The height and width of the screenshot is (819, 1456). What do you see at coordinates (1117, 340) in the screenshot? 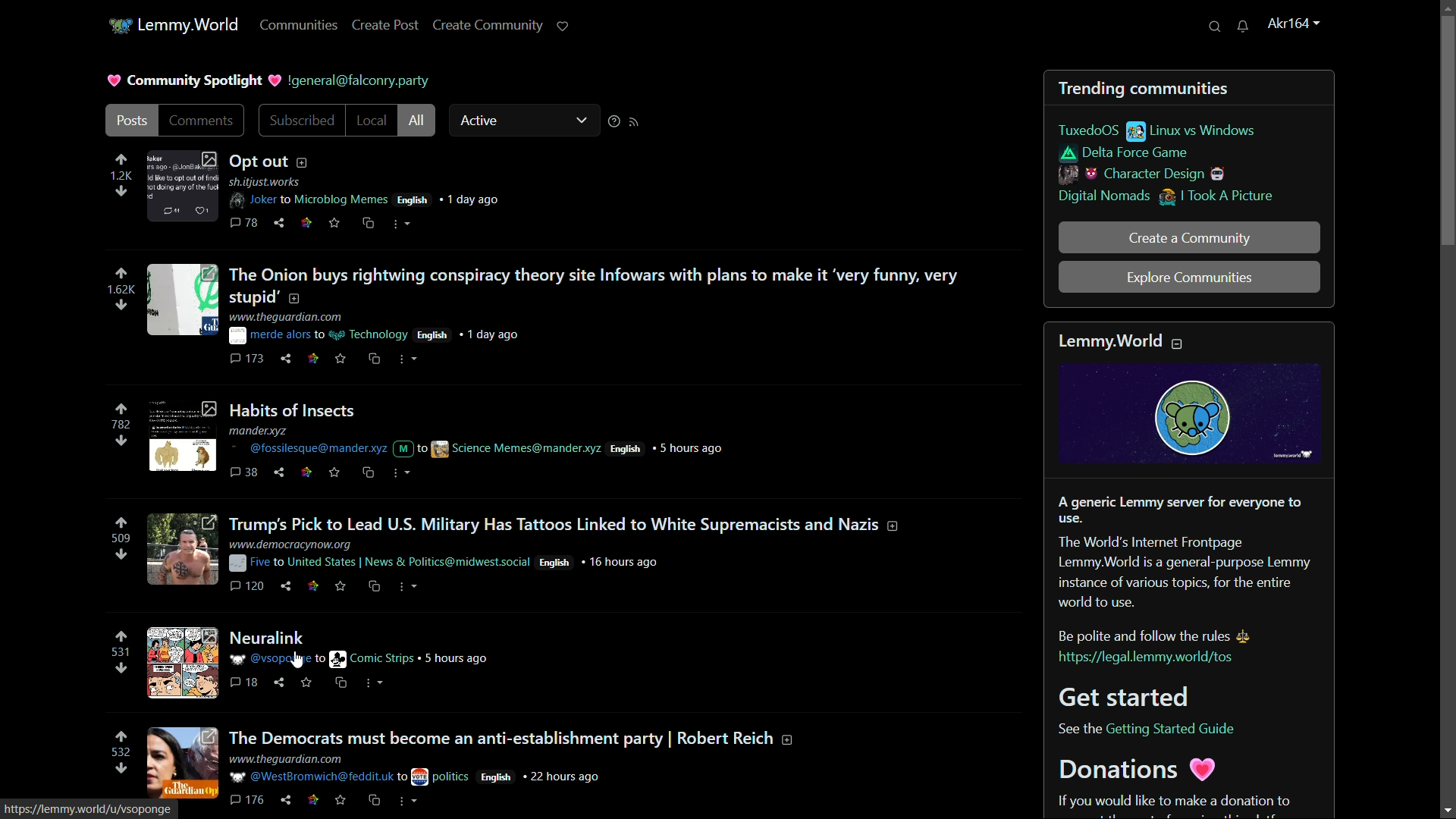
I see `text` at bounding box center [1117, 340].